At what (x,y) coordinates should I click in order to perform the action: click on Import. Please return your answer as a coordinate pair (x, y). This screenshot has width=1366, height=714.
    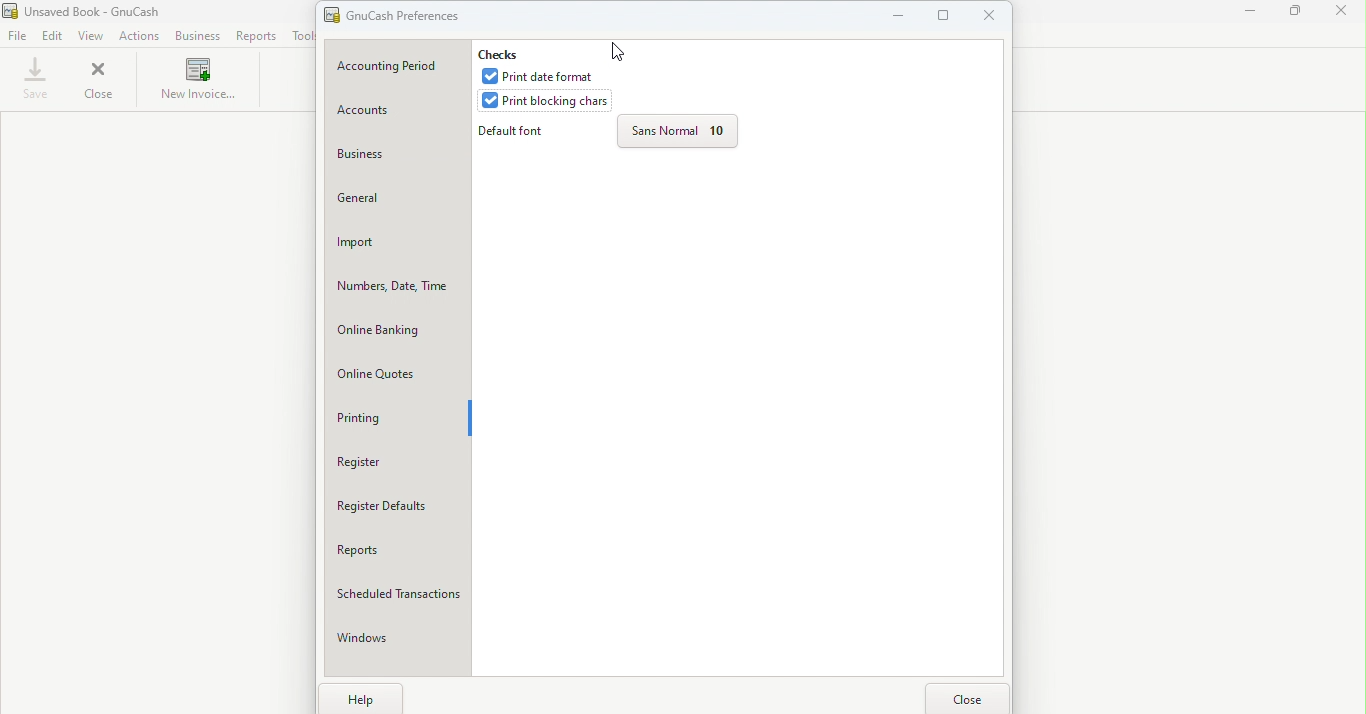
    Looking at the image, I should click on (399, 243).